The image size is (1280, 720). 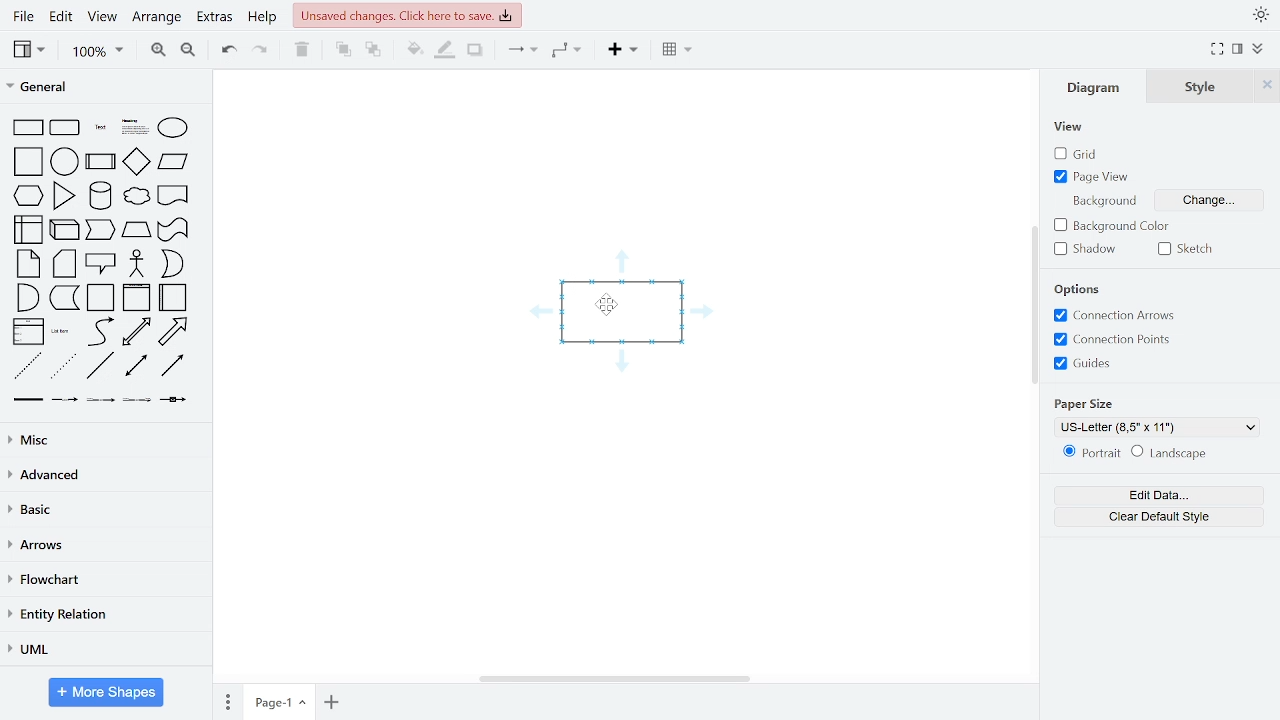 What do you see at coordinates (100, 365) in the screenshot?
I see `line` at bounding box center [100, 365].